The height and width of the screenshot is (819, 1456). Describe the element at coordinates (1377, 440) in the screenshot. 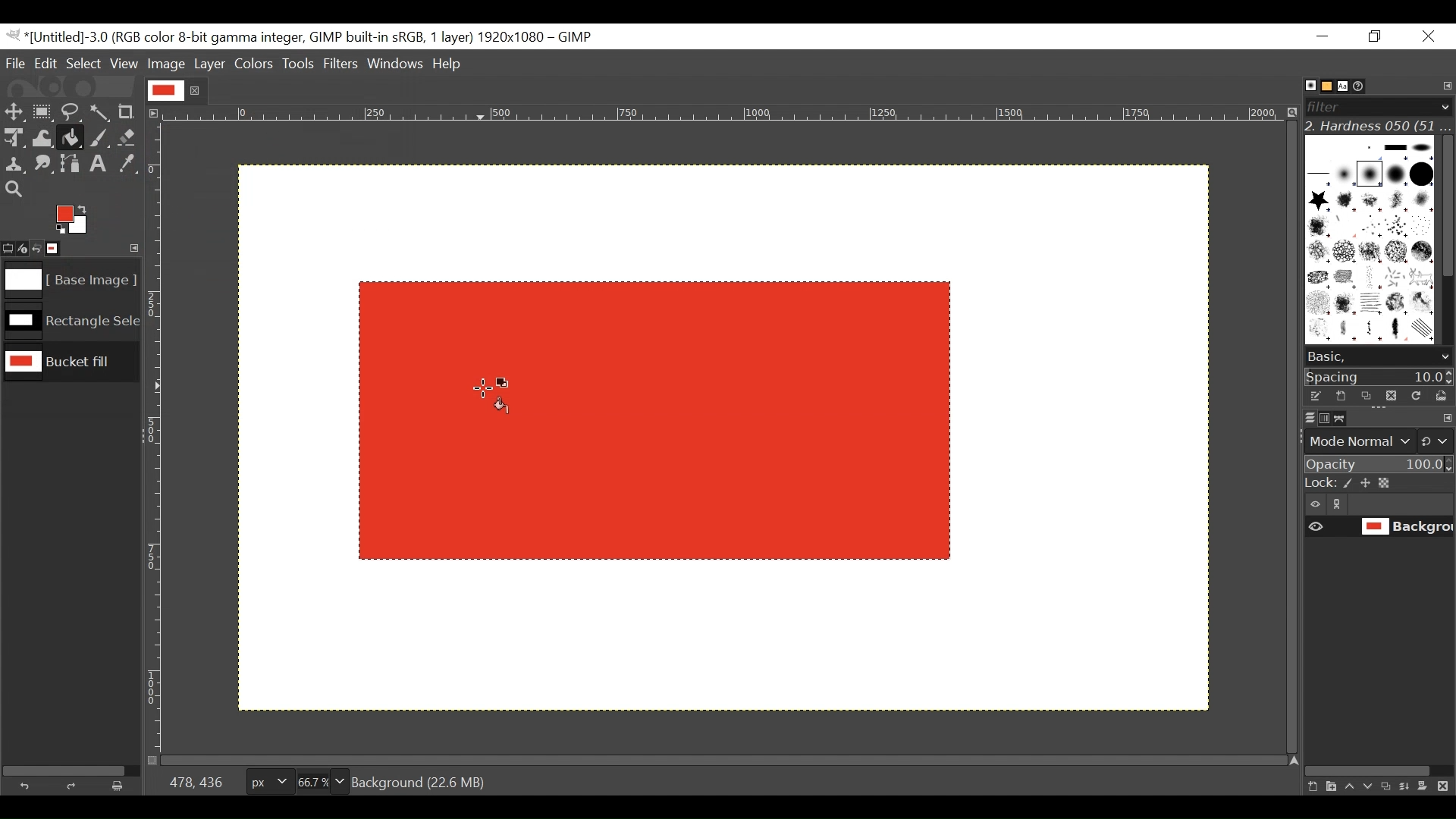

I see `mode normal` at that location.